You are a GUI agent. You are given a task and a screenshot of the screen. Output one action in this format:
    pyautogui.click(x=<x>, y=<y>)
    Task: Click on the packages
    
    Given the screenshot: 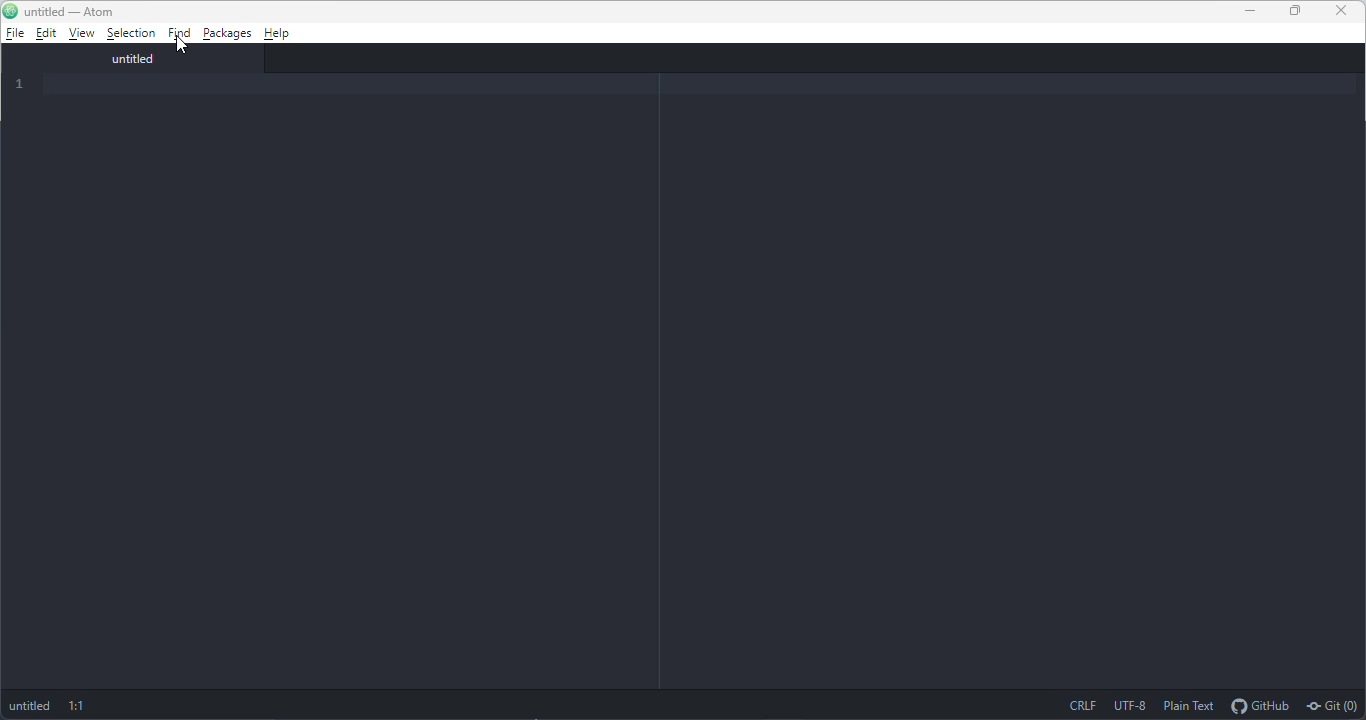 What is the action you would take?
    pyautogui.click(x=227, y=33)
    